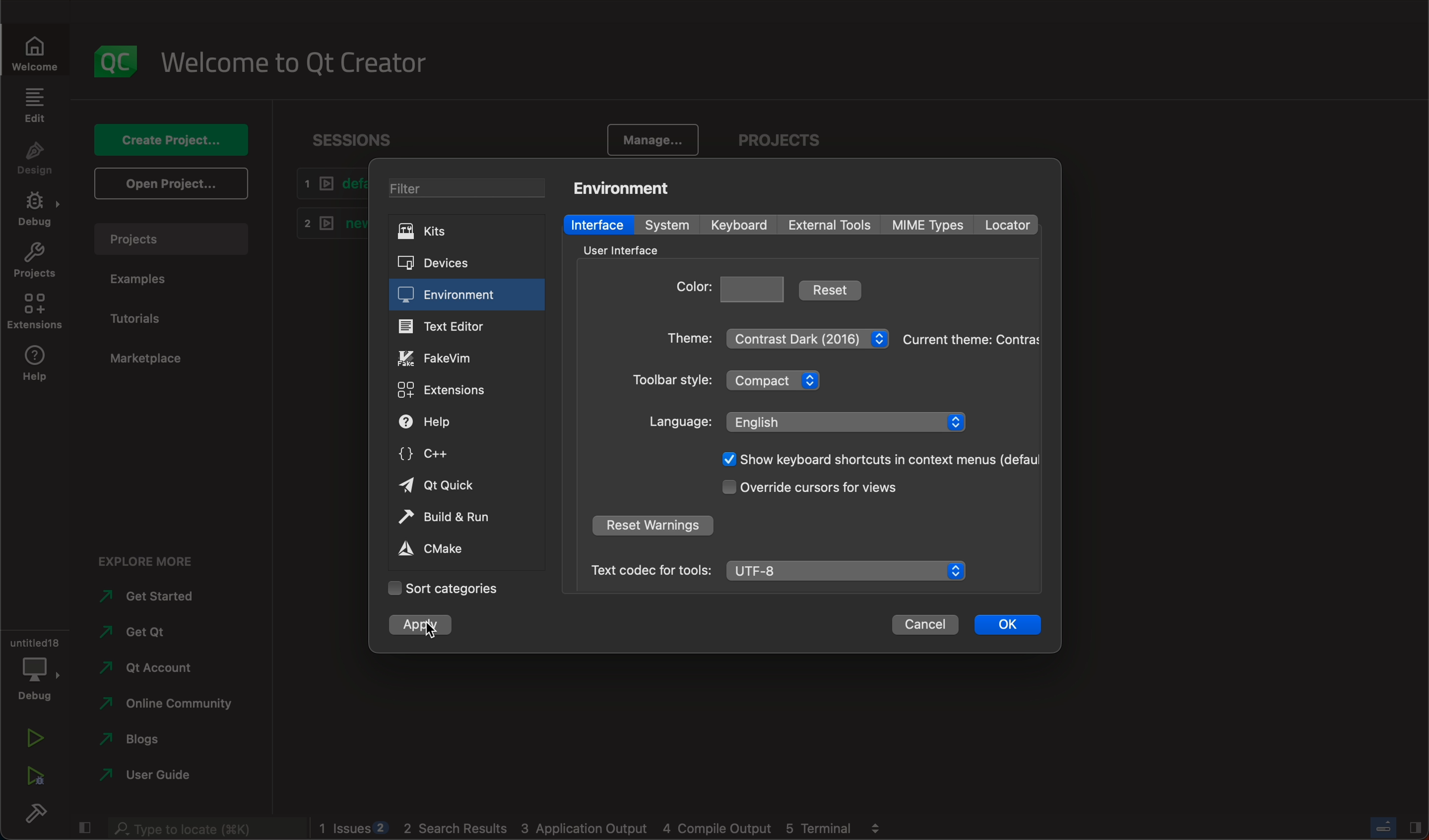  What do you see at coordinates (777, 336) in the screenshot?
I see `theme` at bounding box center [777, 336].